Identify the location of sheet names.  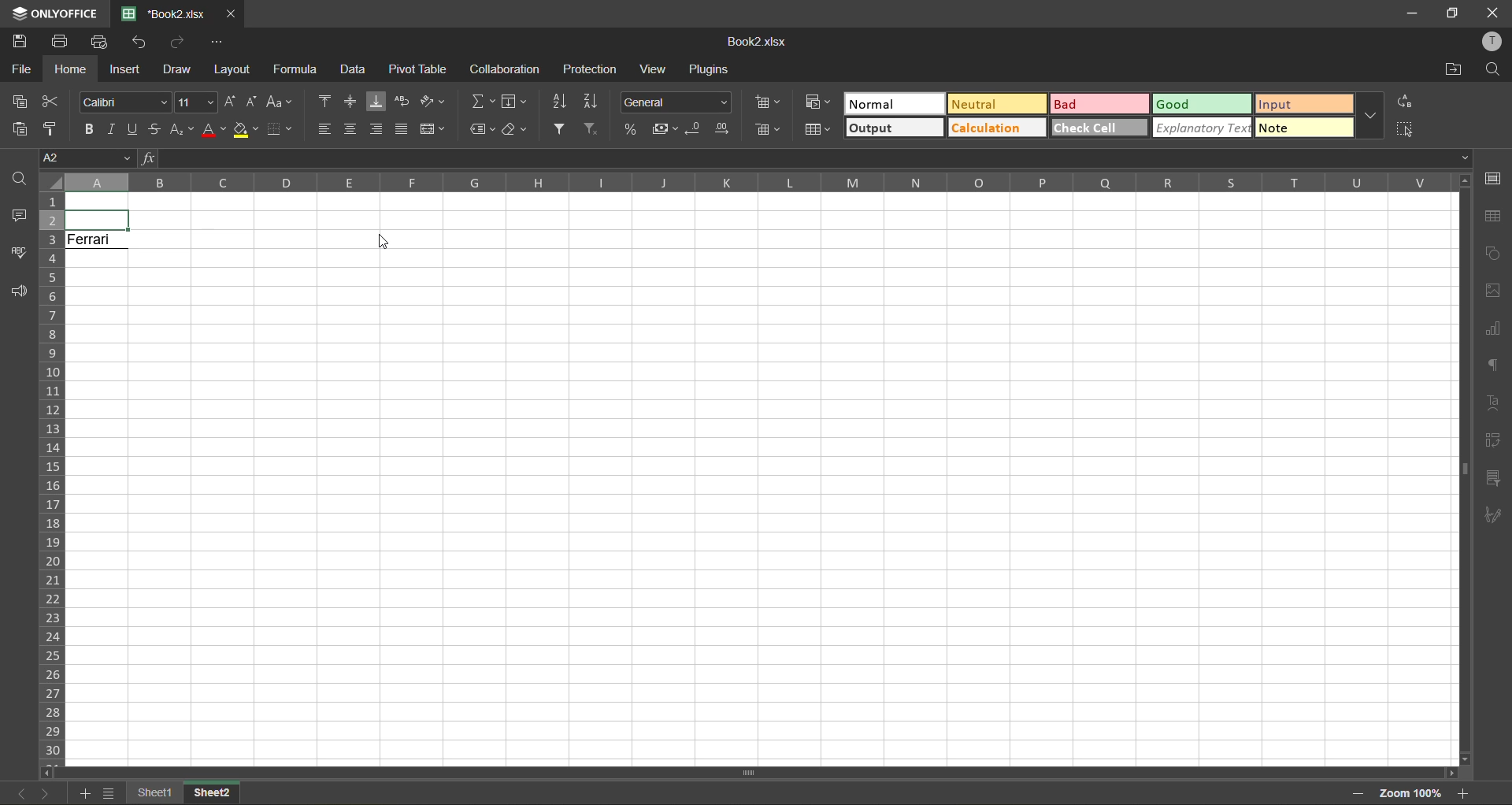
(152, 793).